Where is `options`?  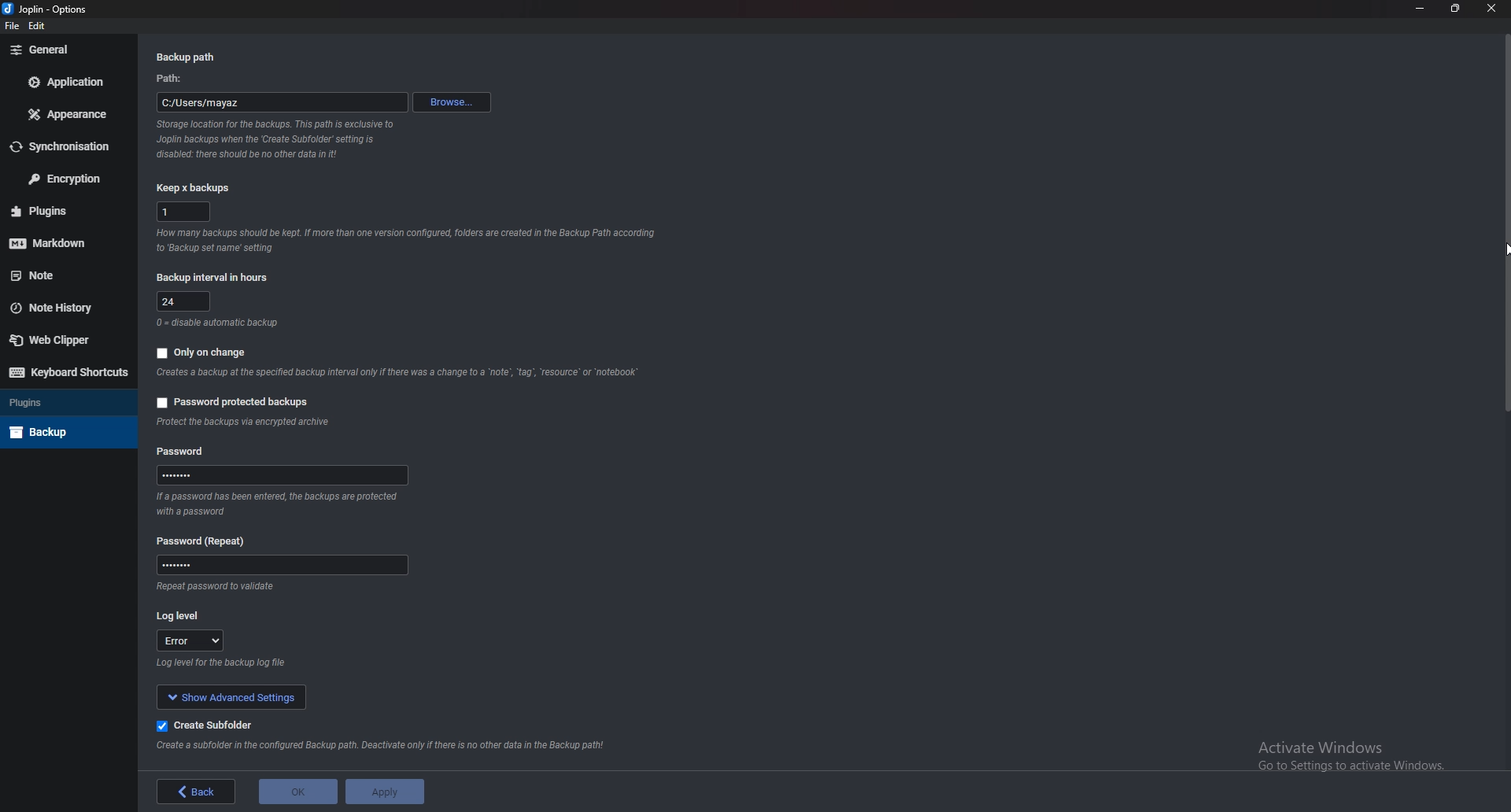 options is located at coordinates (72, 9).